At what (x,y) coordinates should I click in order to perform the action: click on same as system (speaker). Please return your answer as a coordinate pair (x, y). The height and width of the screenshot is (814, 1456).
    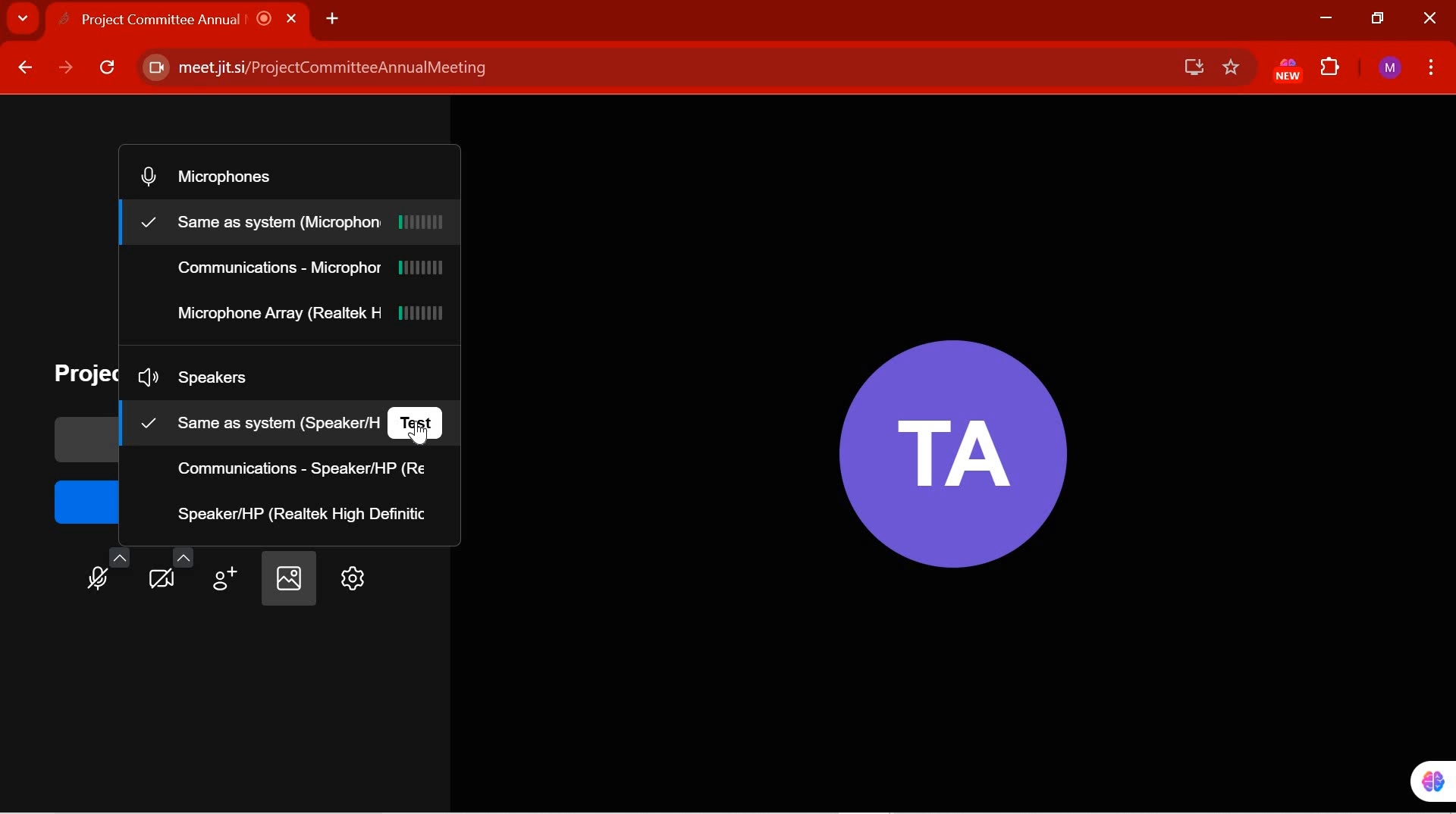
    Looking at the image, I should click on (255, 421).